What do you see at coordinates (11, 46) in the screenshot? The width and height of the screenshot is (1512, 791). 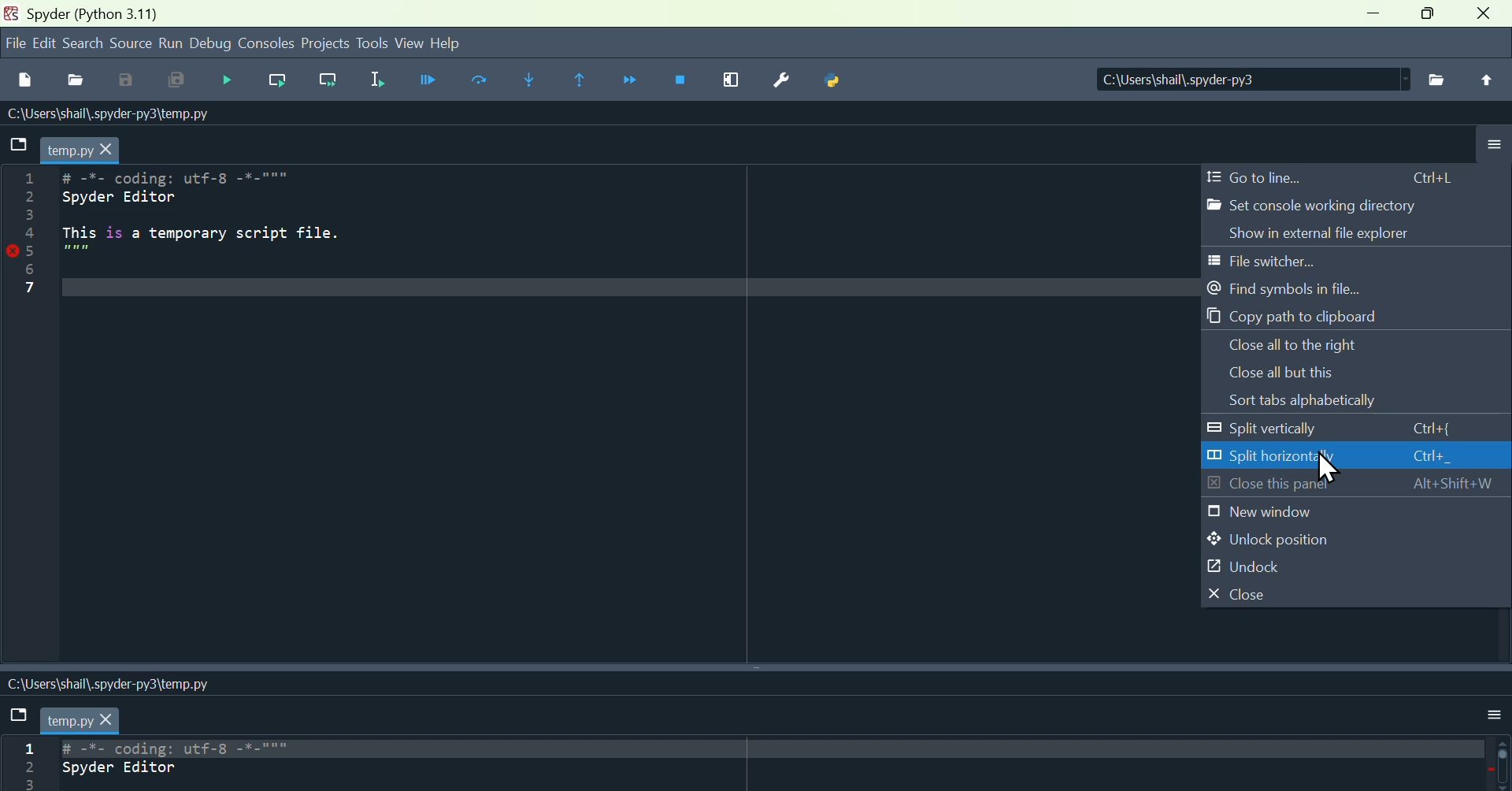 I see `file` at bounding box center [11, 46].